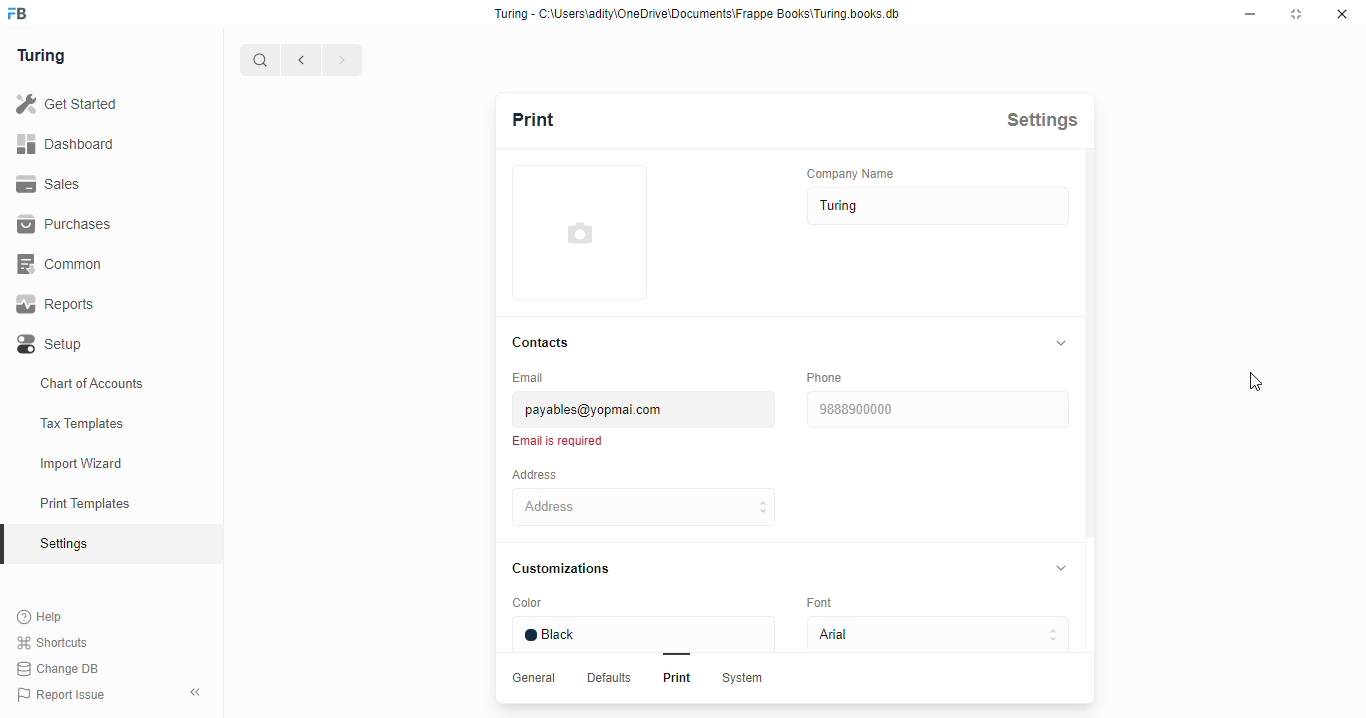 The image size is (1366, 718). I want to click on Setiings., so click(111, 544).